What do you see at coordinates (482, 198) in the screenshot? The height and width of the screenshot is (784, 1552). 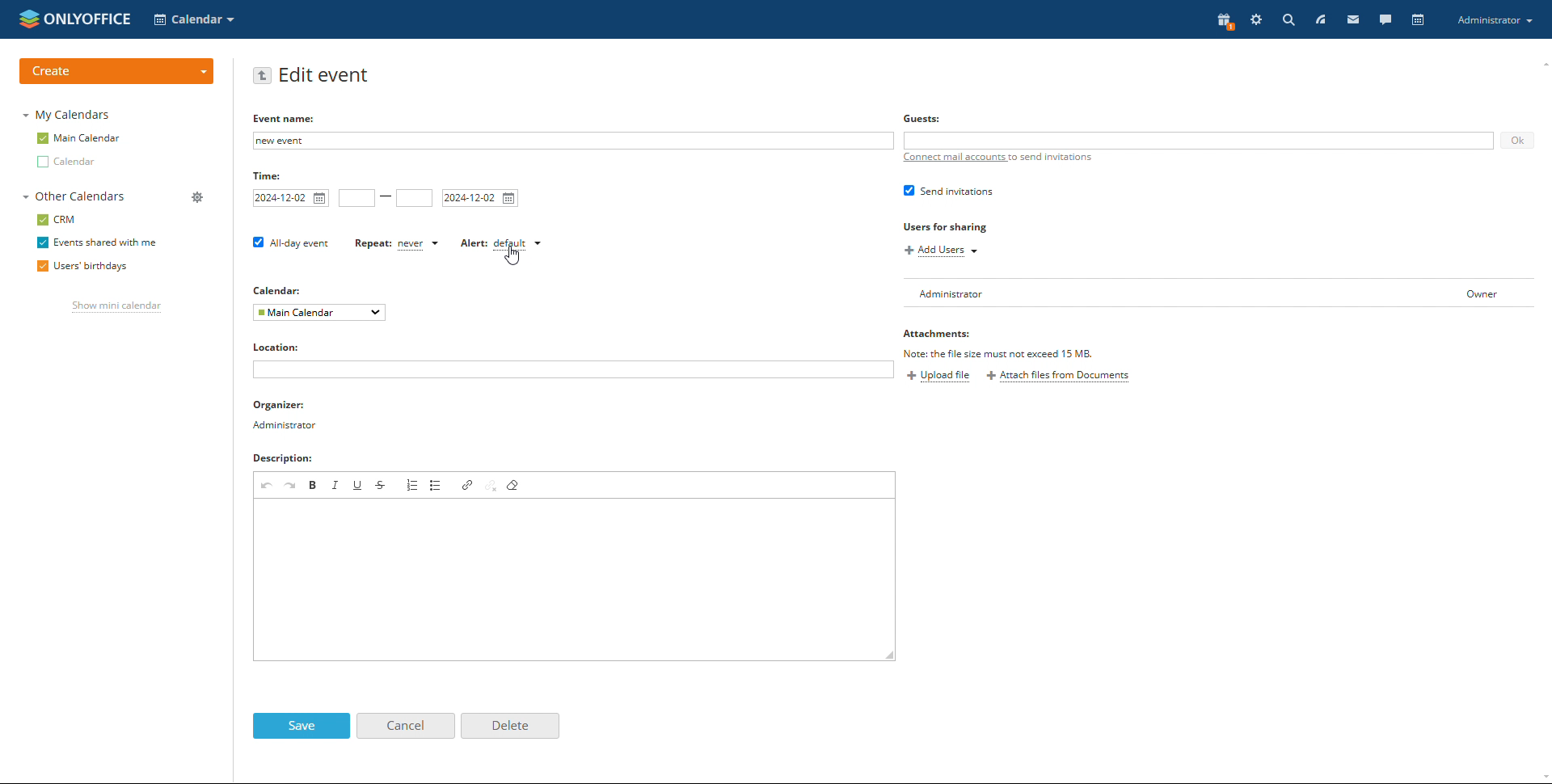 I see `end date` at bounding box center [482, 198].